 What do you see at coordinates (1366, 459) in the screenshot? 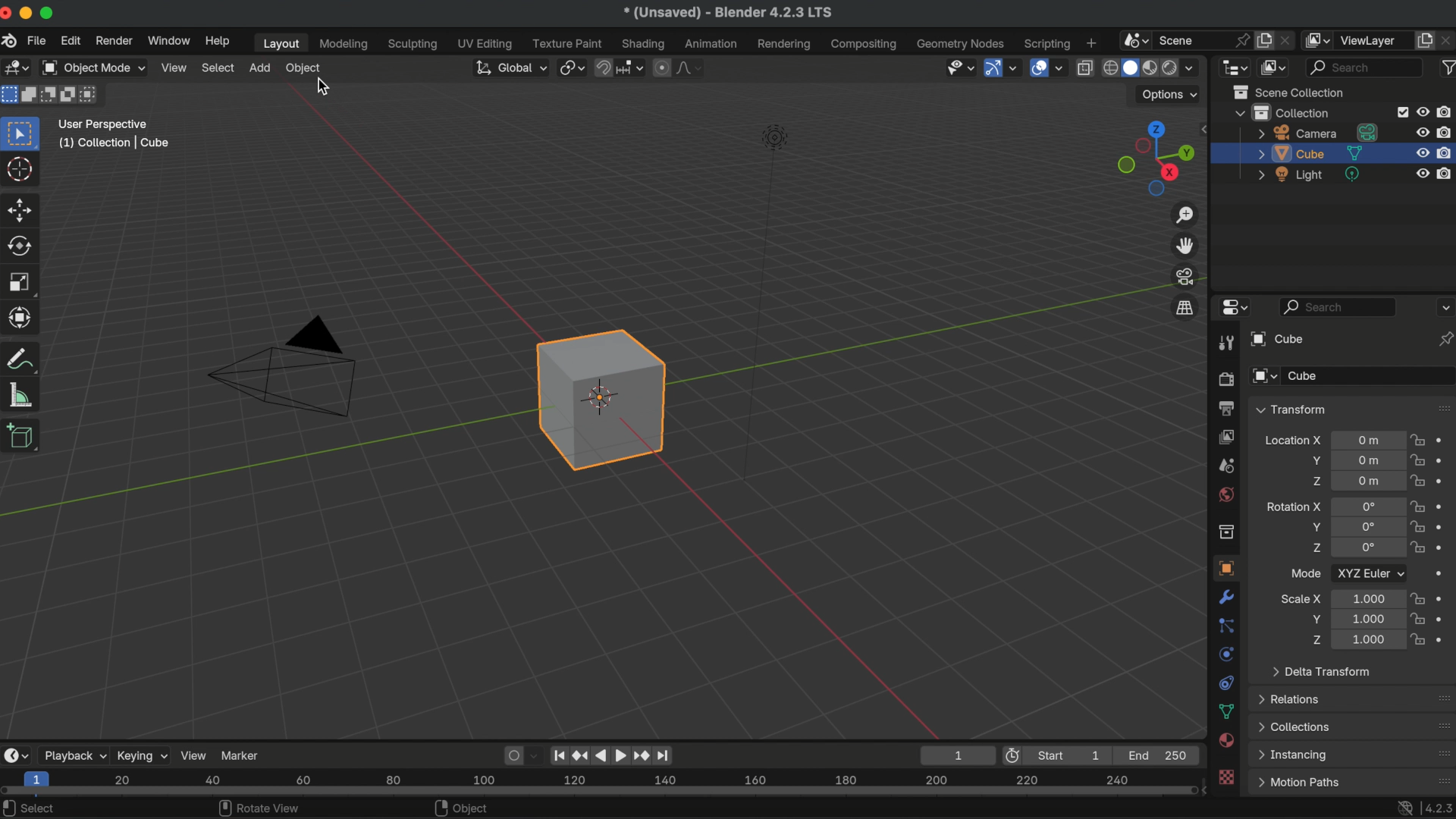
I see `location of object` at bounding box center [1366, 459].